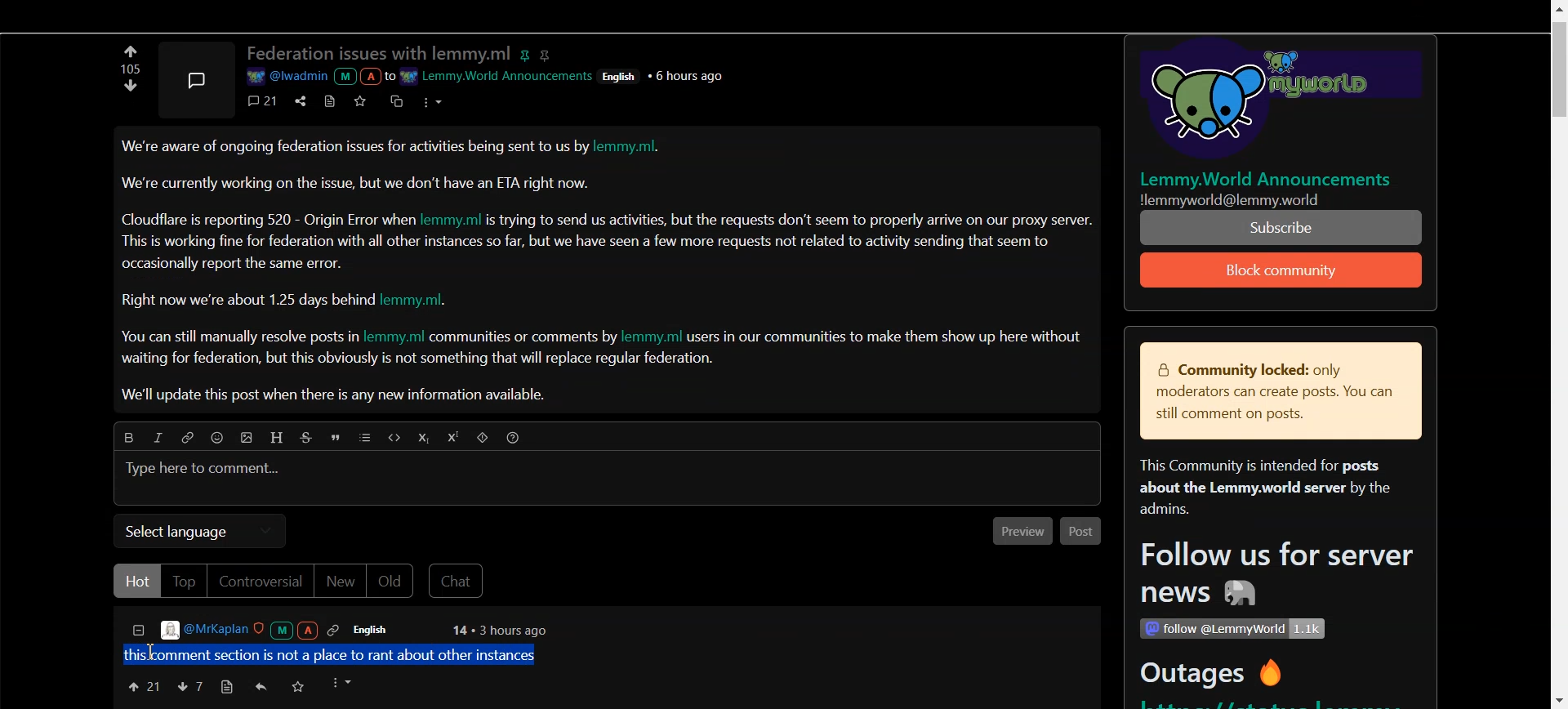 This screenshot has width=1568, height=709. Describe the element at coordinates (528, 52) in the screenshot. I see `pin` at that location.